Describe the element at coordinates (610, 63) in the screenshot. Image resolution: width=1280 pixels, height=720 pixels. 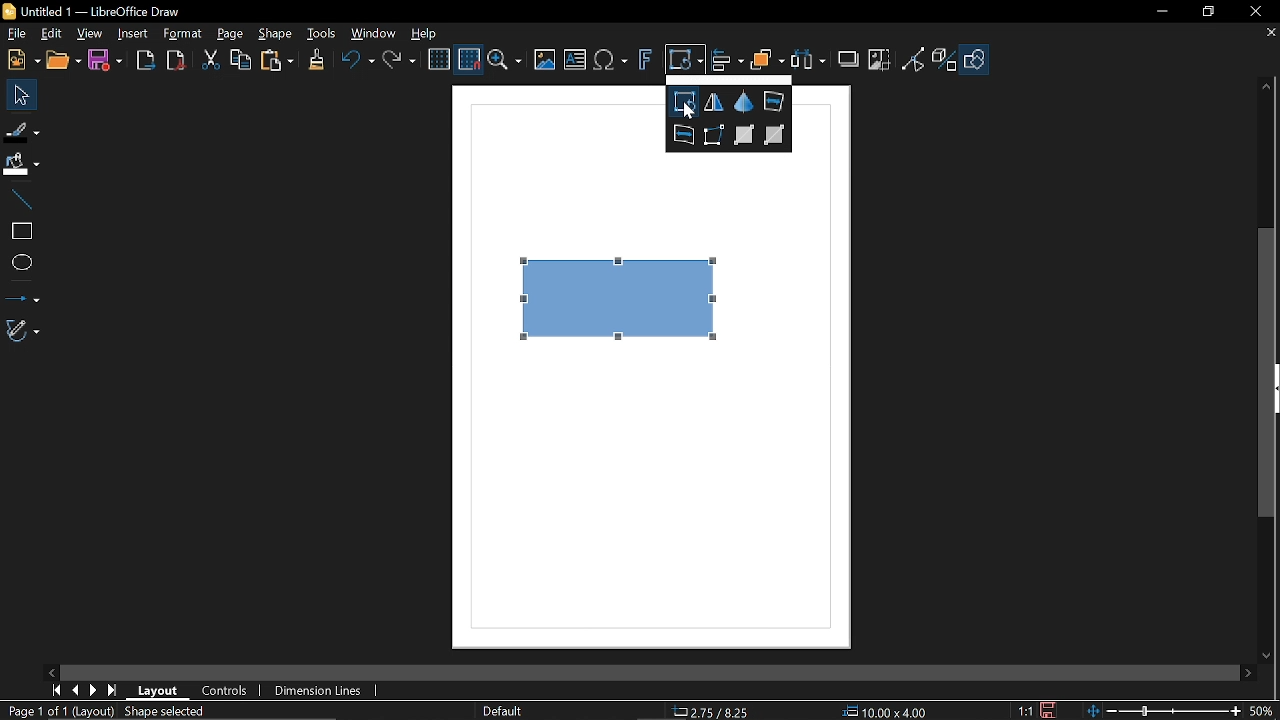
I see `Insert equation` at that location.